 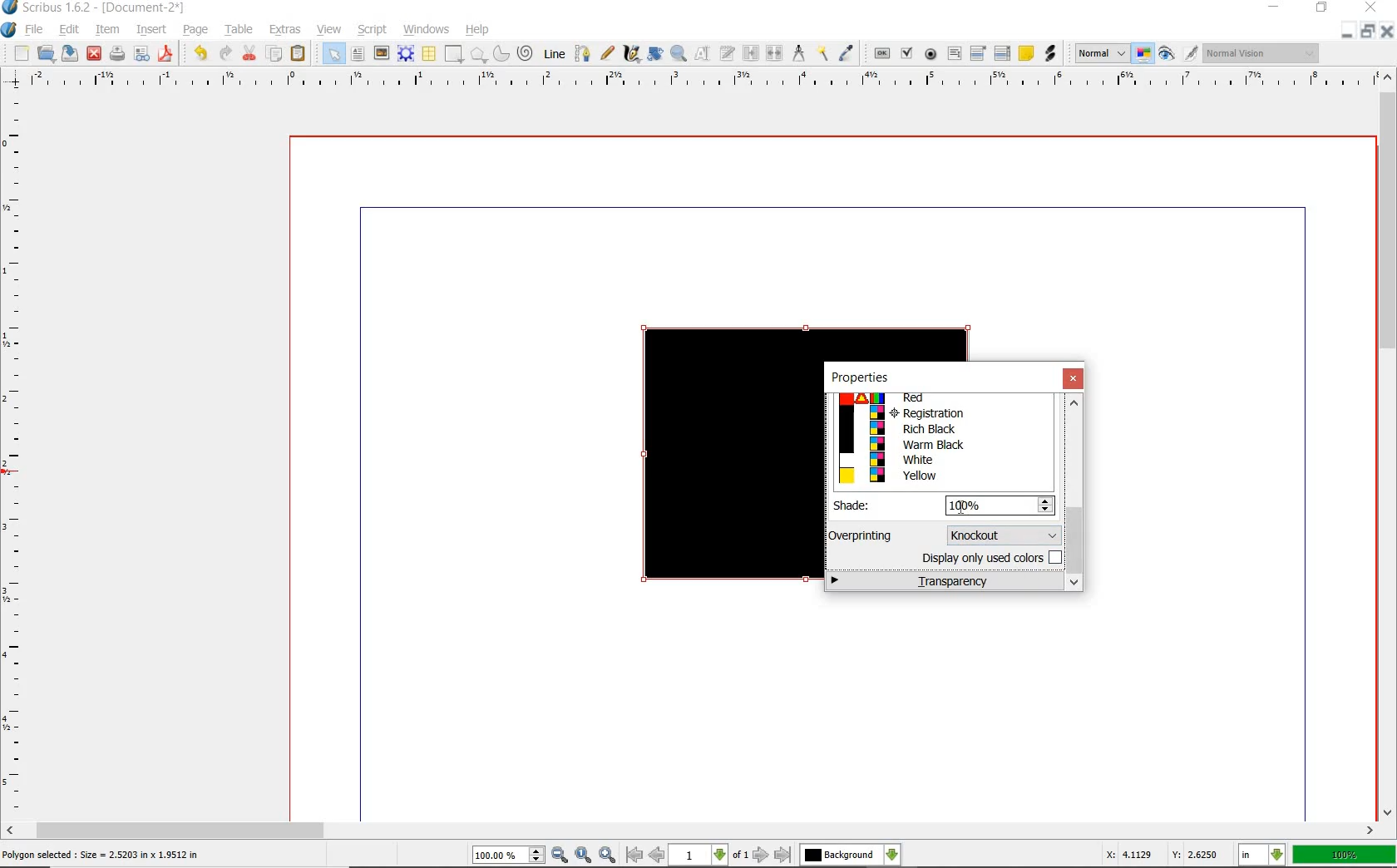 What do you see at coordinates (701, 54) in the screenshot?
I see `edit content of frame` at bounding box center [701, 54].